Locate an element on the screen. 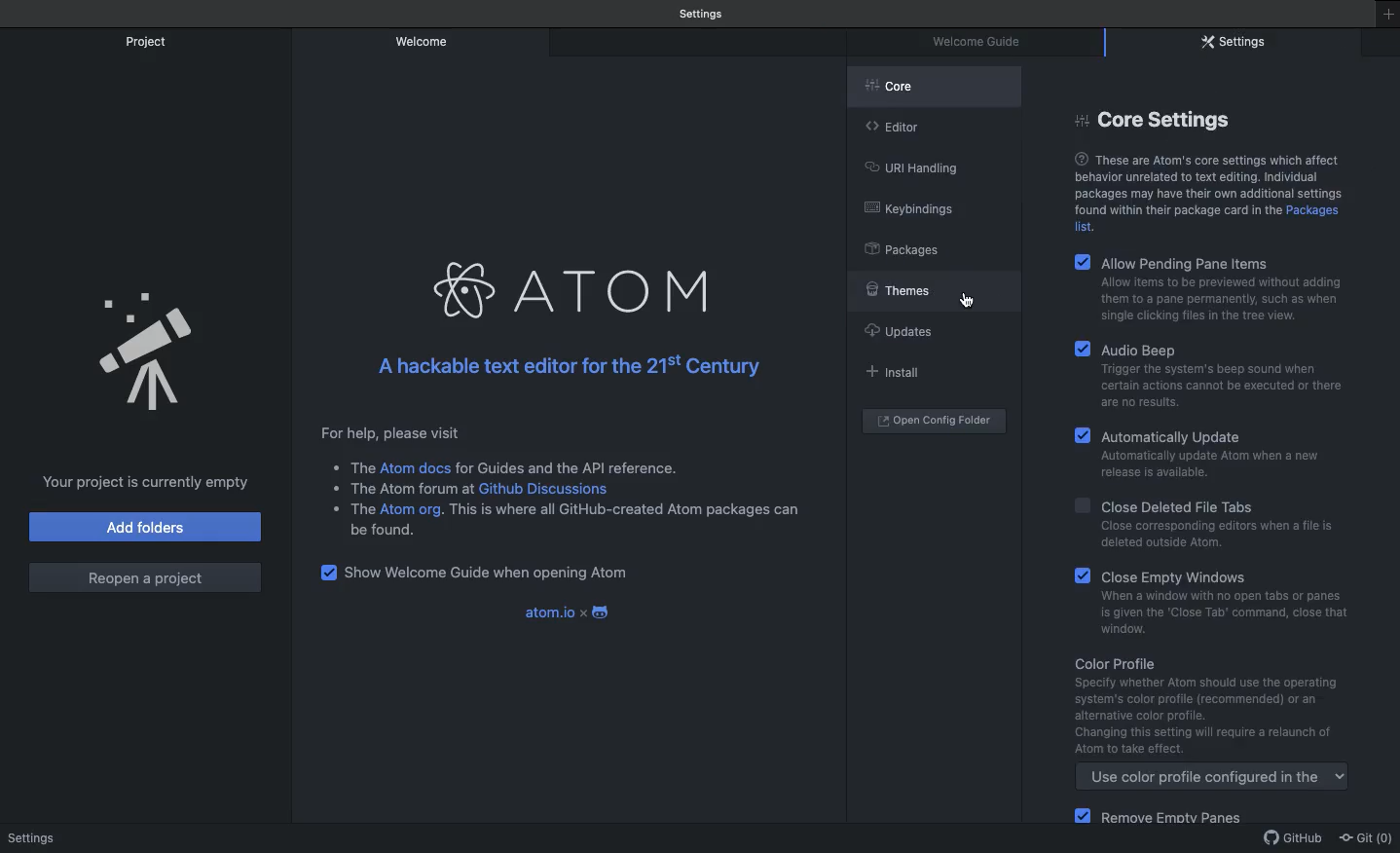  * The is located at coordinates (349, 507).